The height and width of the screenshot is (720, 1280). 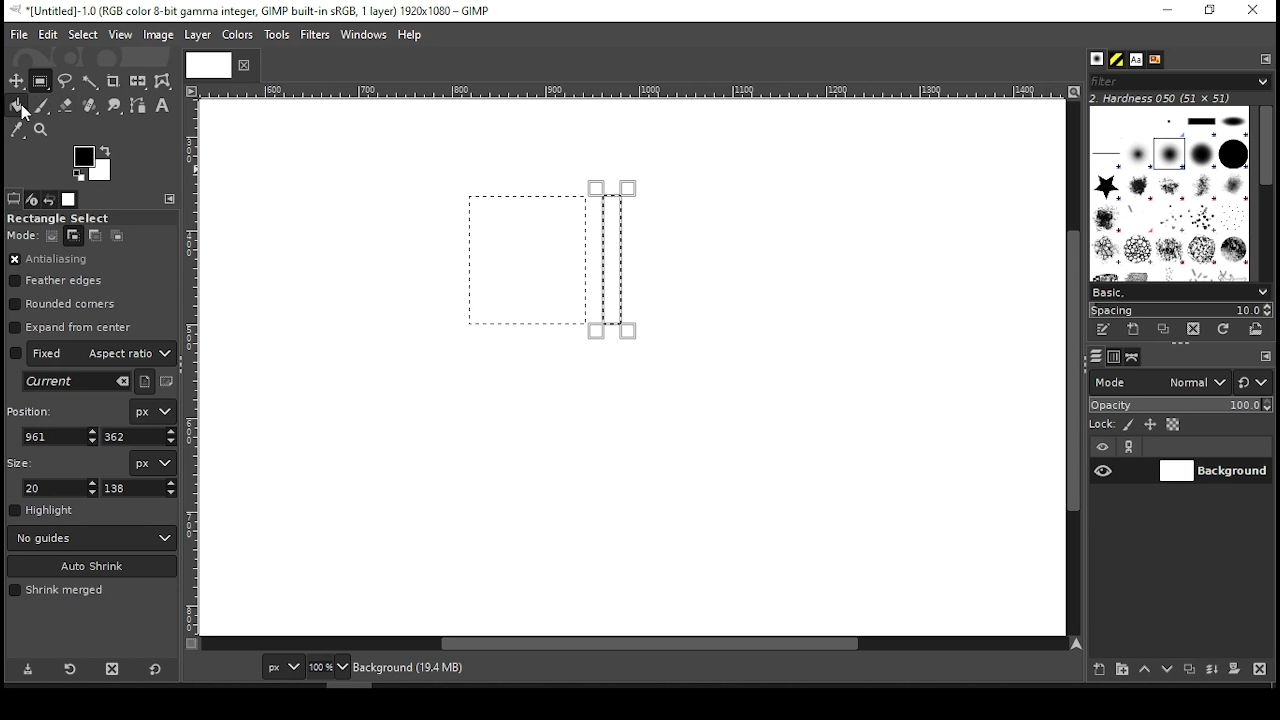 I want to click on file, so click(x=19, y=35).